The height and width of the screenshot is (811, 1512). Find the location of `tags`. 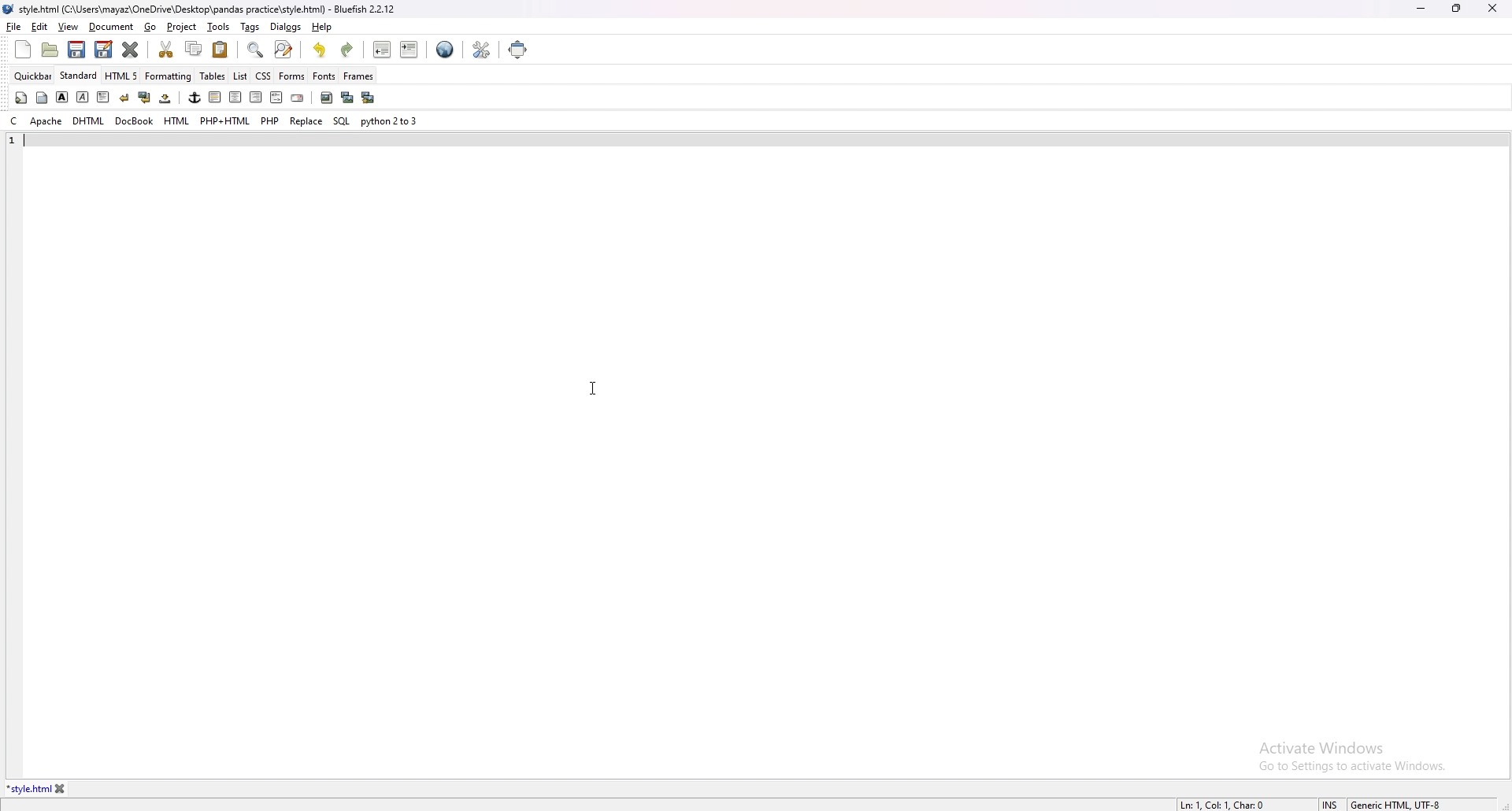

tags is located at coordinates (248, 25).